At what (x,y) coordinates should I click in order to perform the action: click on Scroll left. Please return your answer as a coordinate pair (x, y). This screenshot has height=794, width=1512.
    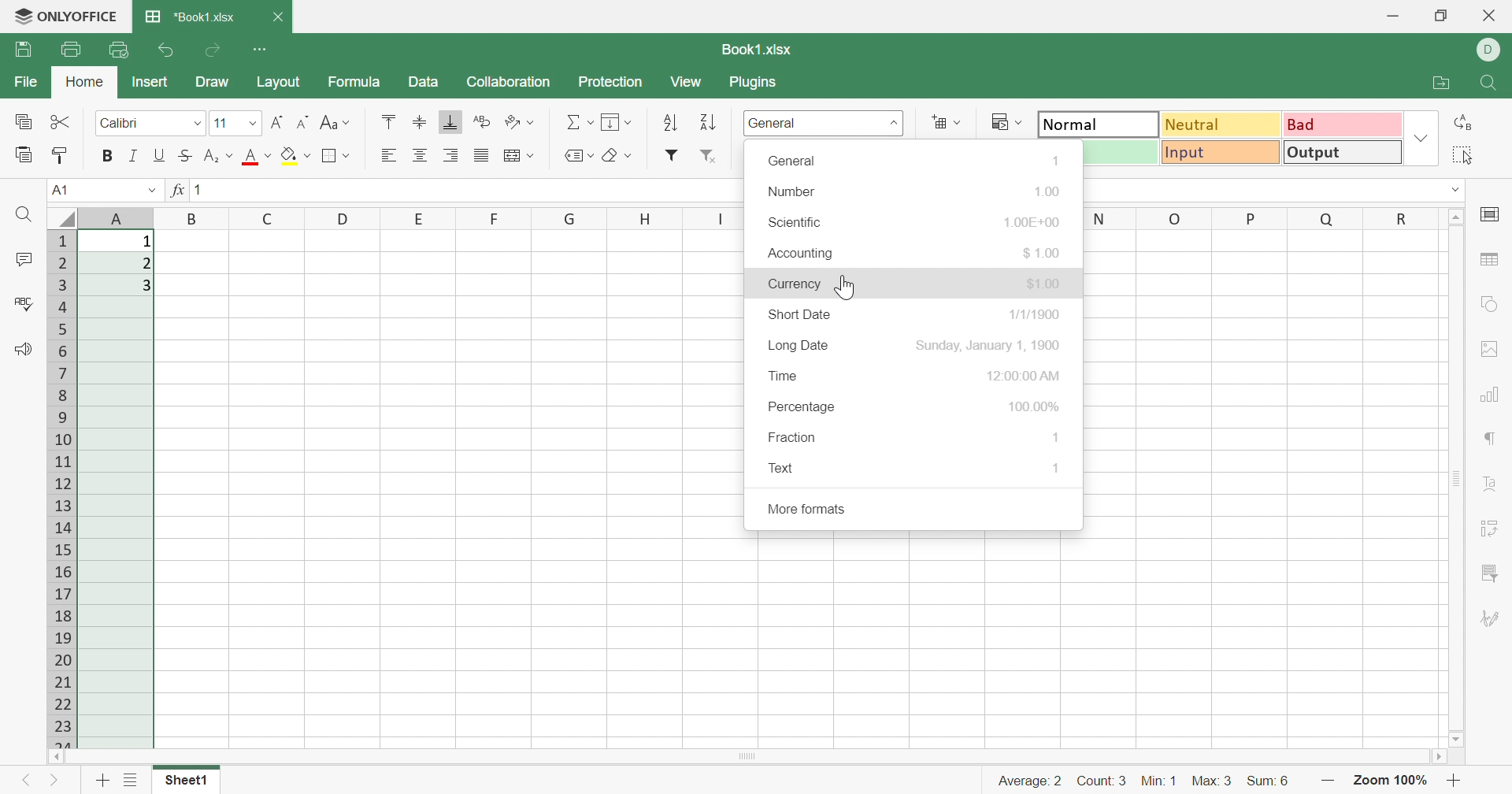
    Looking at the image, I should click on (56, 757).